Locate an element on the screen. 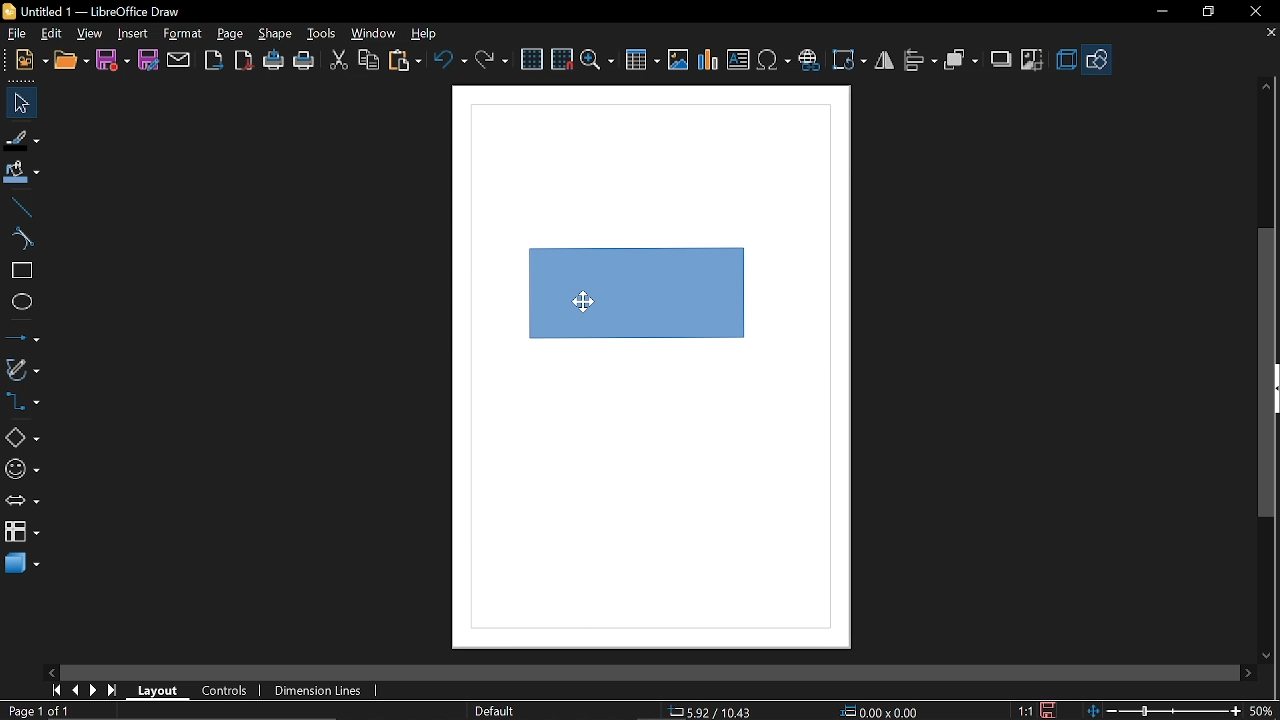 The height and width of the screenshot is (720, 1280). close is located at coordinates (1254, 11).